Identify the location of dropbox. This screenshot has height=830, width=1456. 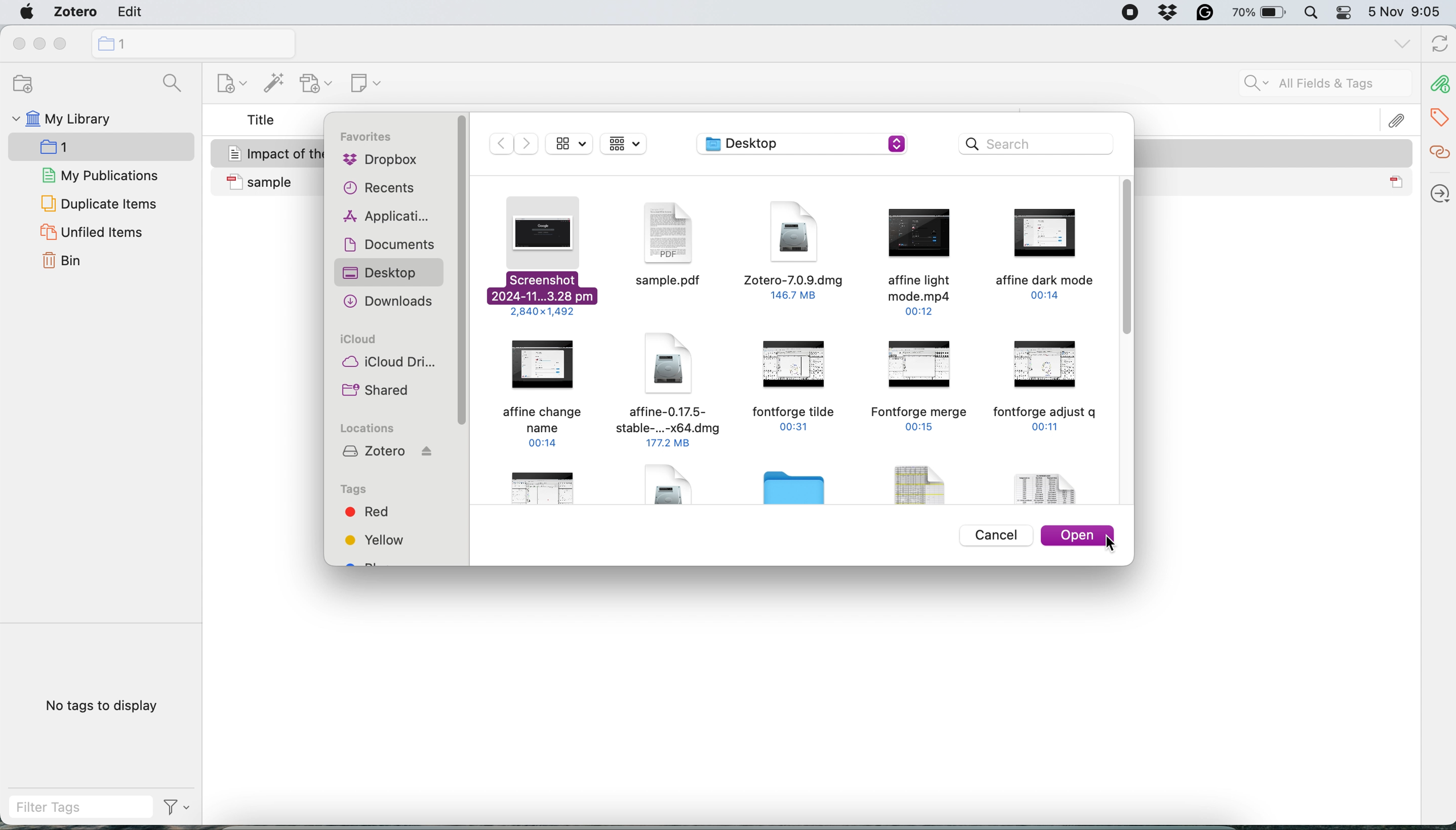
(379, 161).